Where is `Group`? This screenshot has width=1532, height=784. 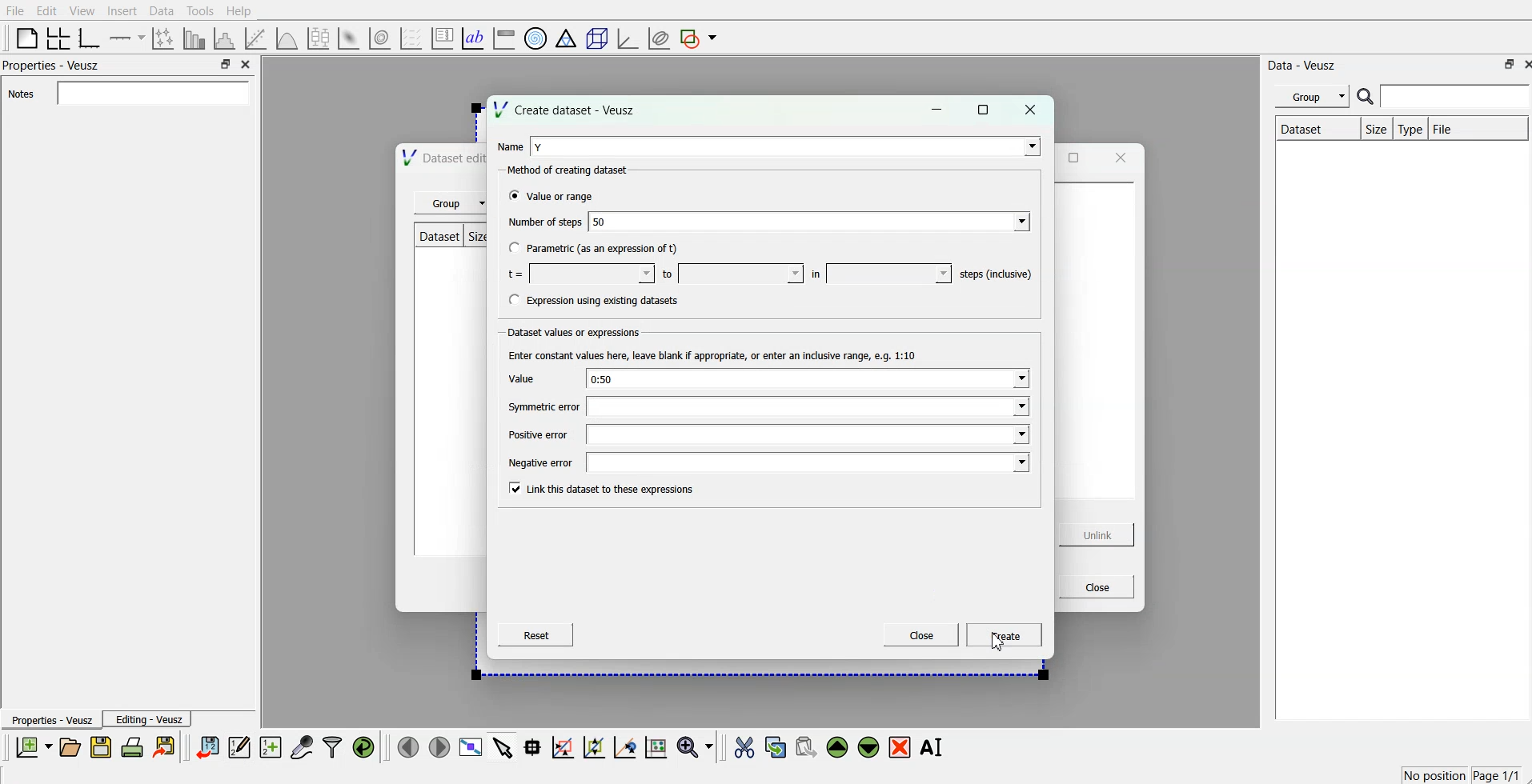 Group is located at coordinates (452, 203).